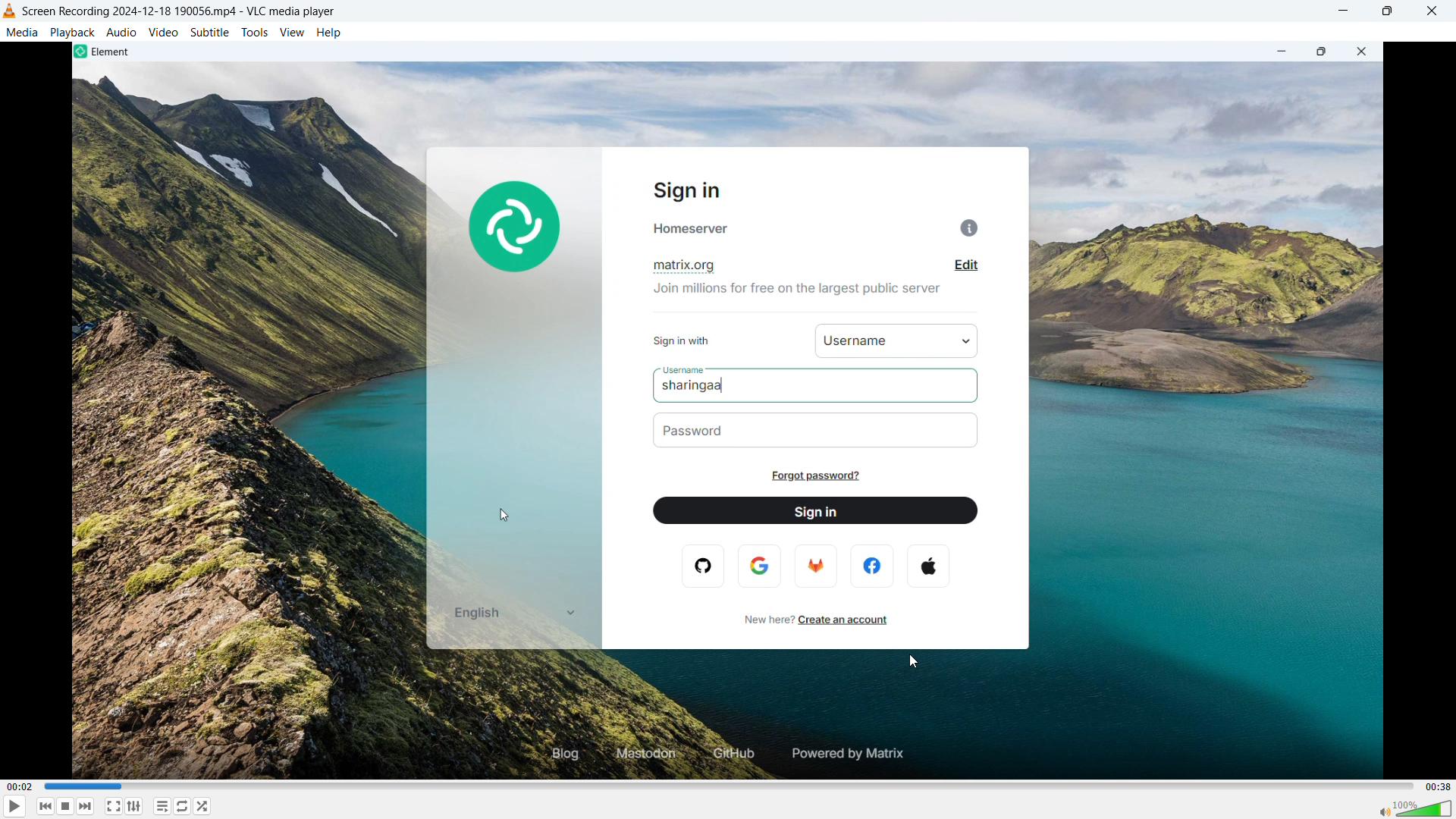 The width and height of the screenshot is (1456, 819). What do you see at coordinates (162, 806) in the screenshot?
I see `toggle playlist` at bounding box center [162, 806].